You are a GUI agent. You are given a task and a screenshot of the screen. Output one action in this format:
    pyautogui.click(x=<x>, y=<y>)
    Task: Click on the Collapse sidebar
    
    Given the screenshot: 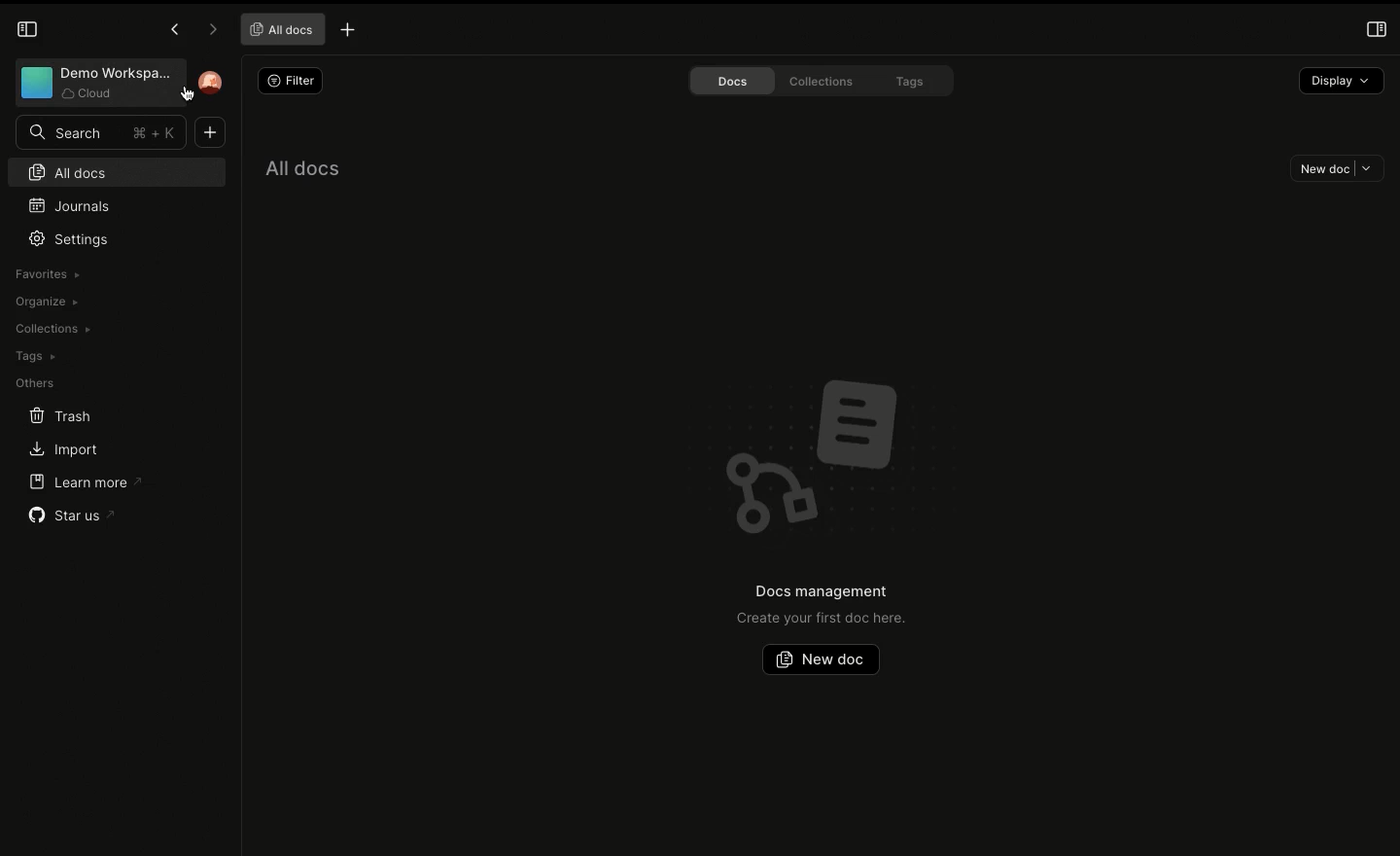 What is the action you would take?
    pyautogui.click(x=27, y=29)
    